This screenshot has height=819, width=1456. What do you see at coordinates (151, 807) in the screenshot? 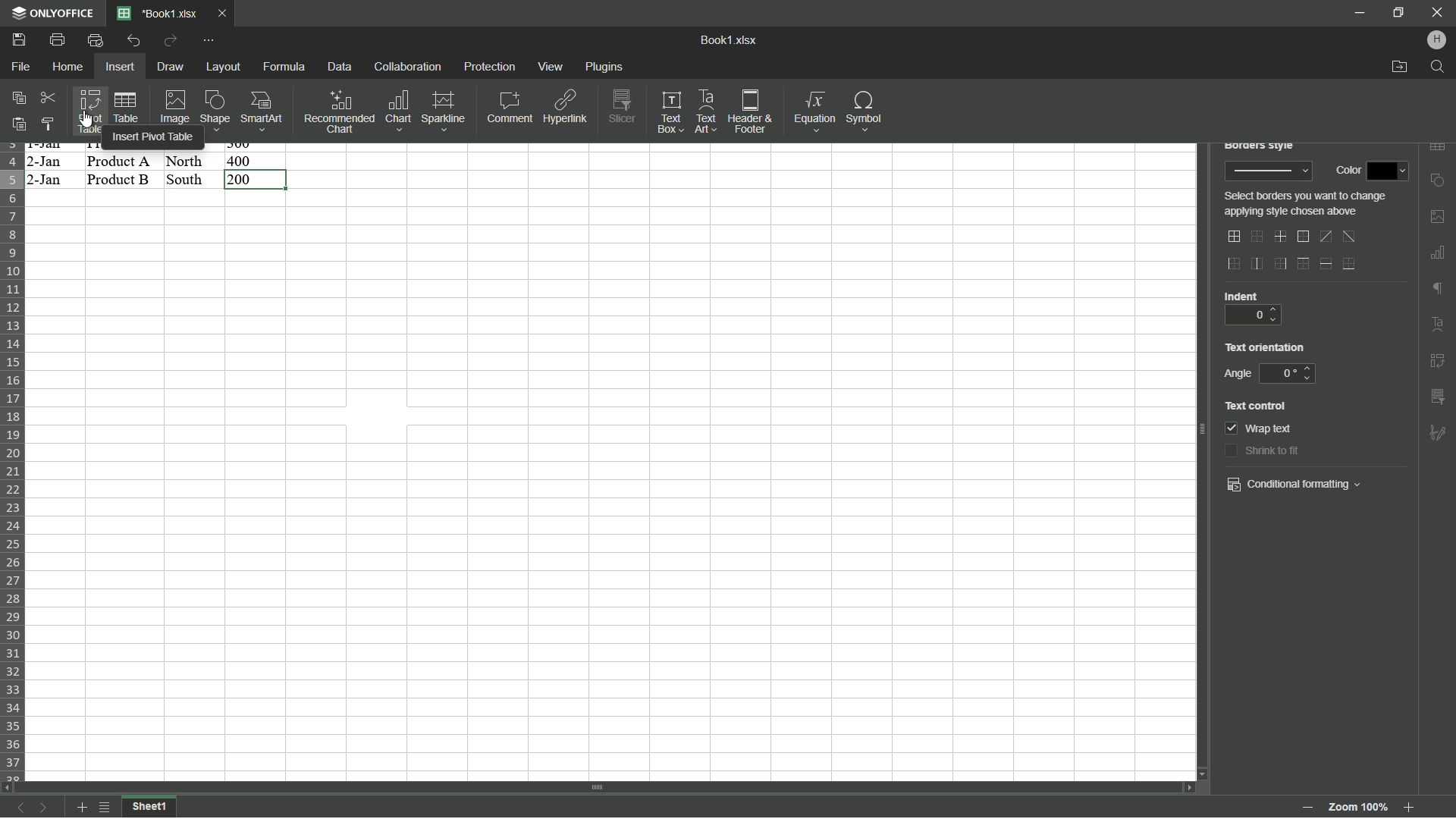
I see `sheet1` at bounding box center [151, 807].